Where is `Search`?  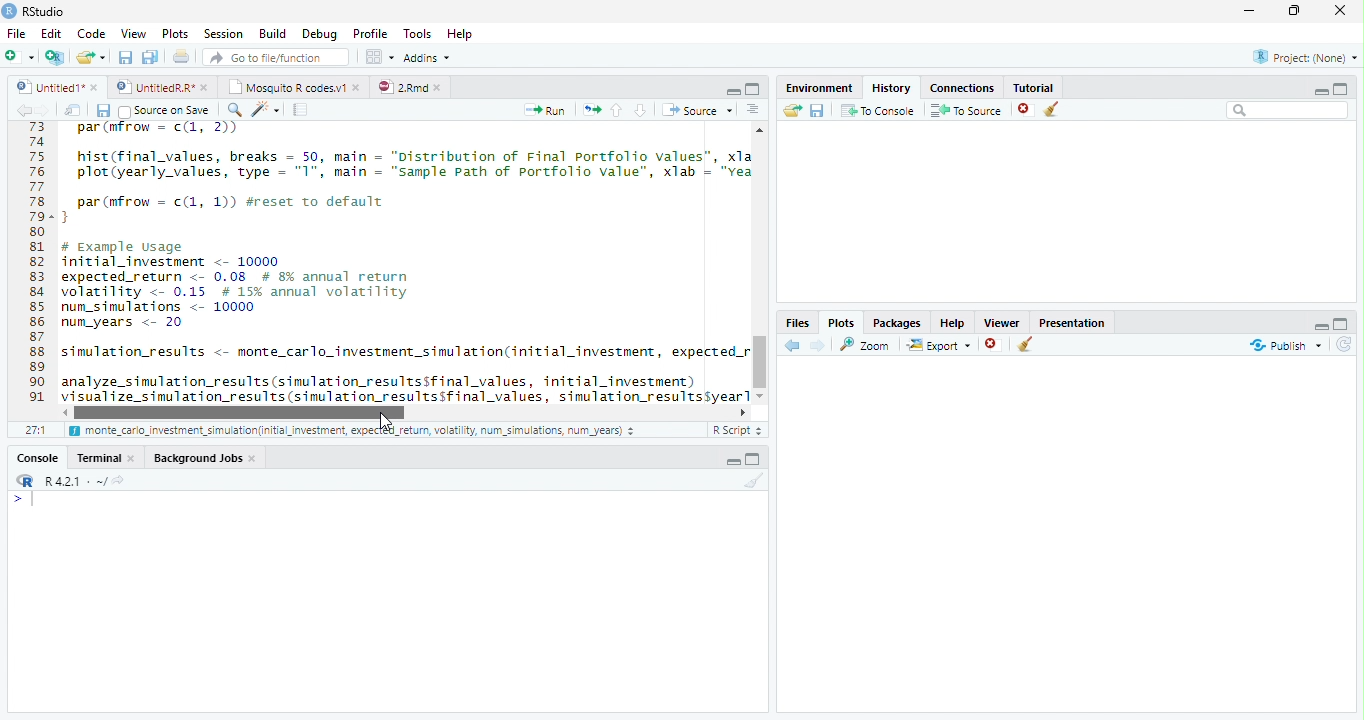
Search is located at coordinates (1288, 110).